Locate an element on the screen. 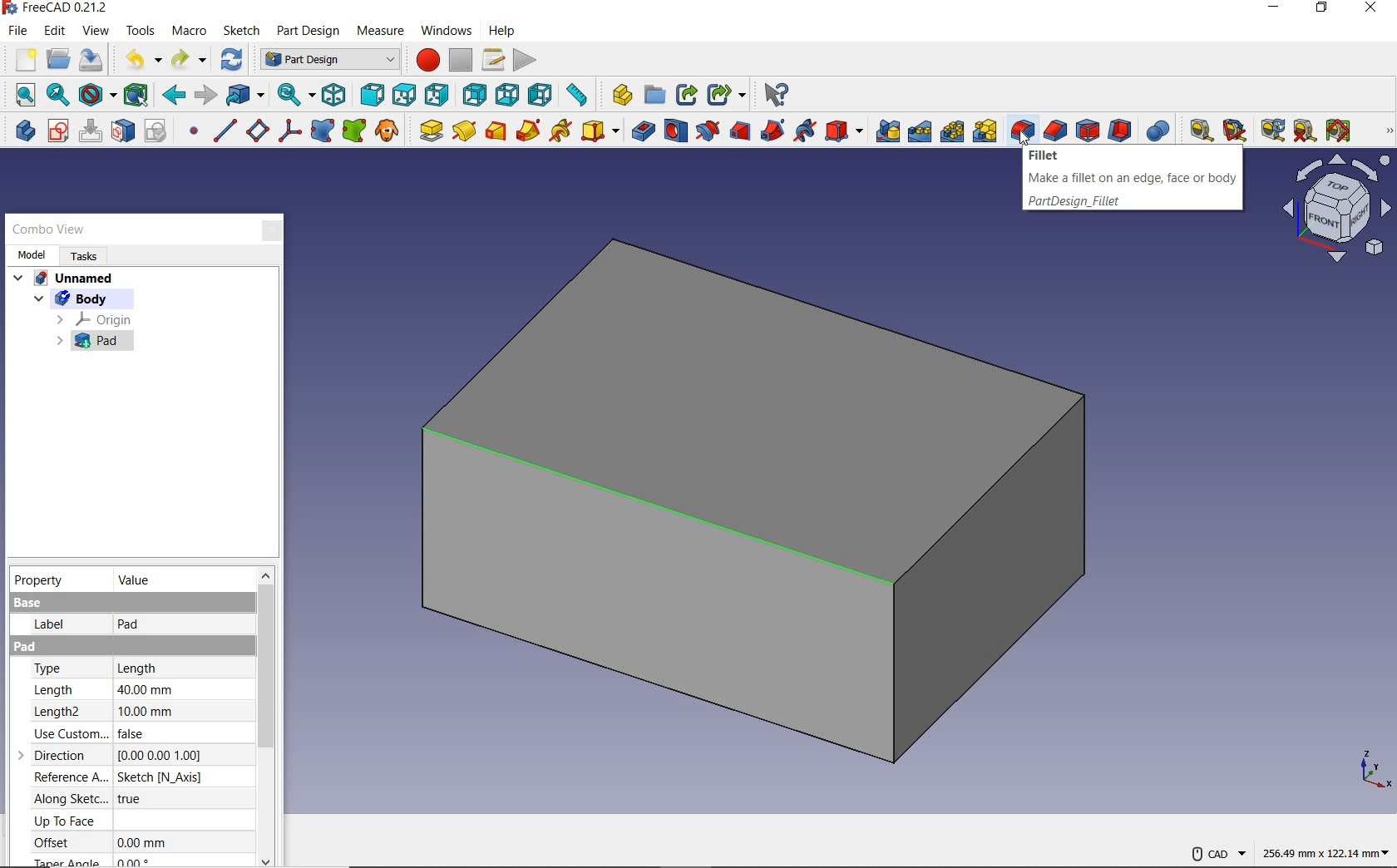 The image size is (1397, 868). model is located at coordinates (31, 257).